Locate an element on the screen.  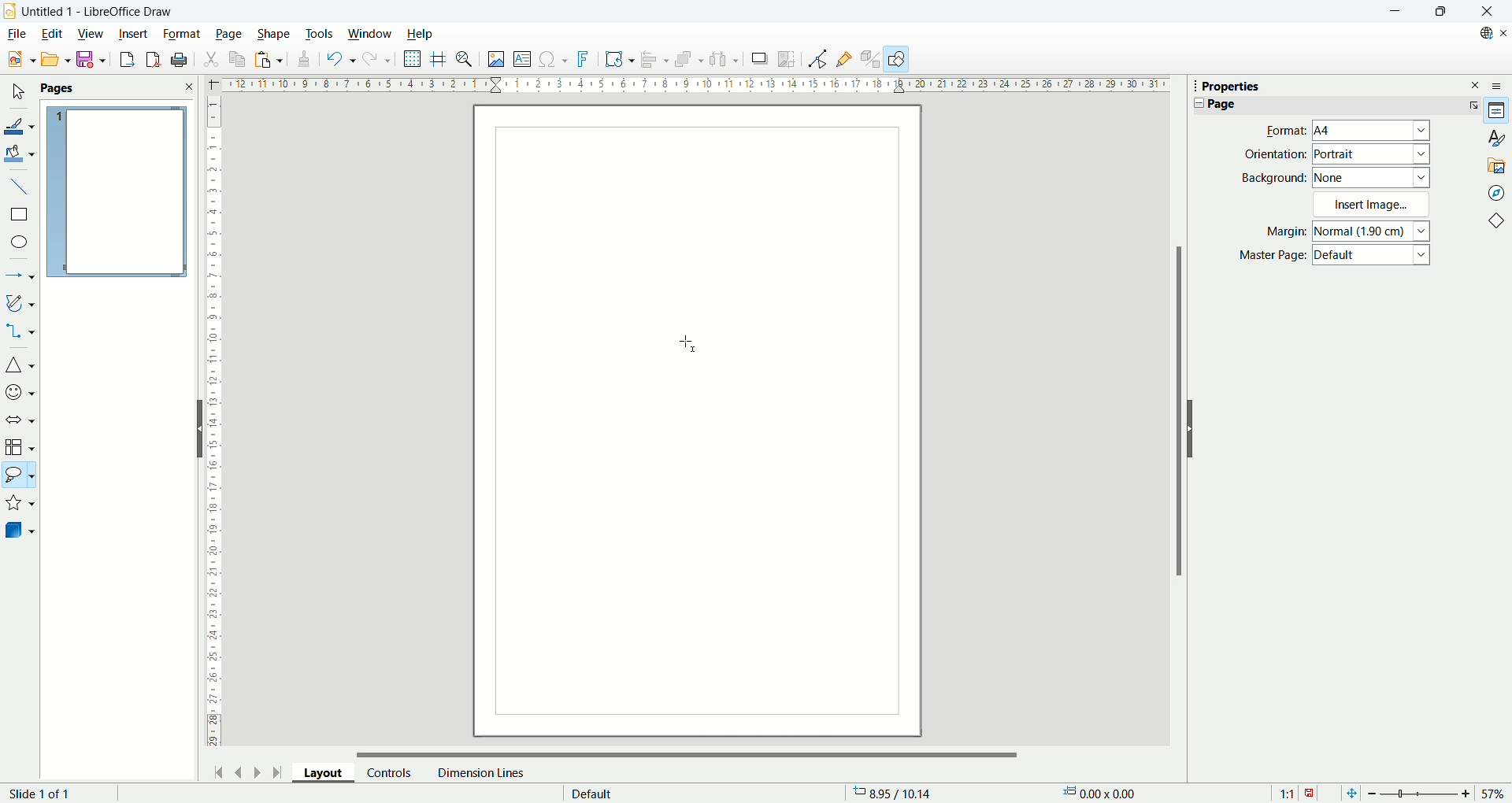
zoom factor is located at coordinates (1436, 792).